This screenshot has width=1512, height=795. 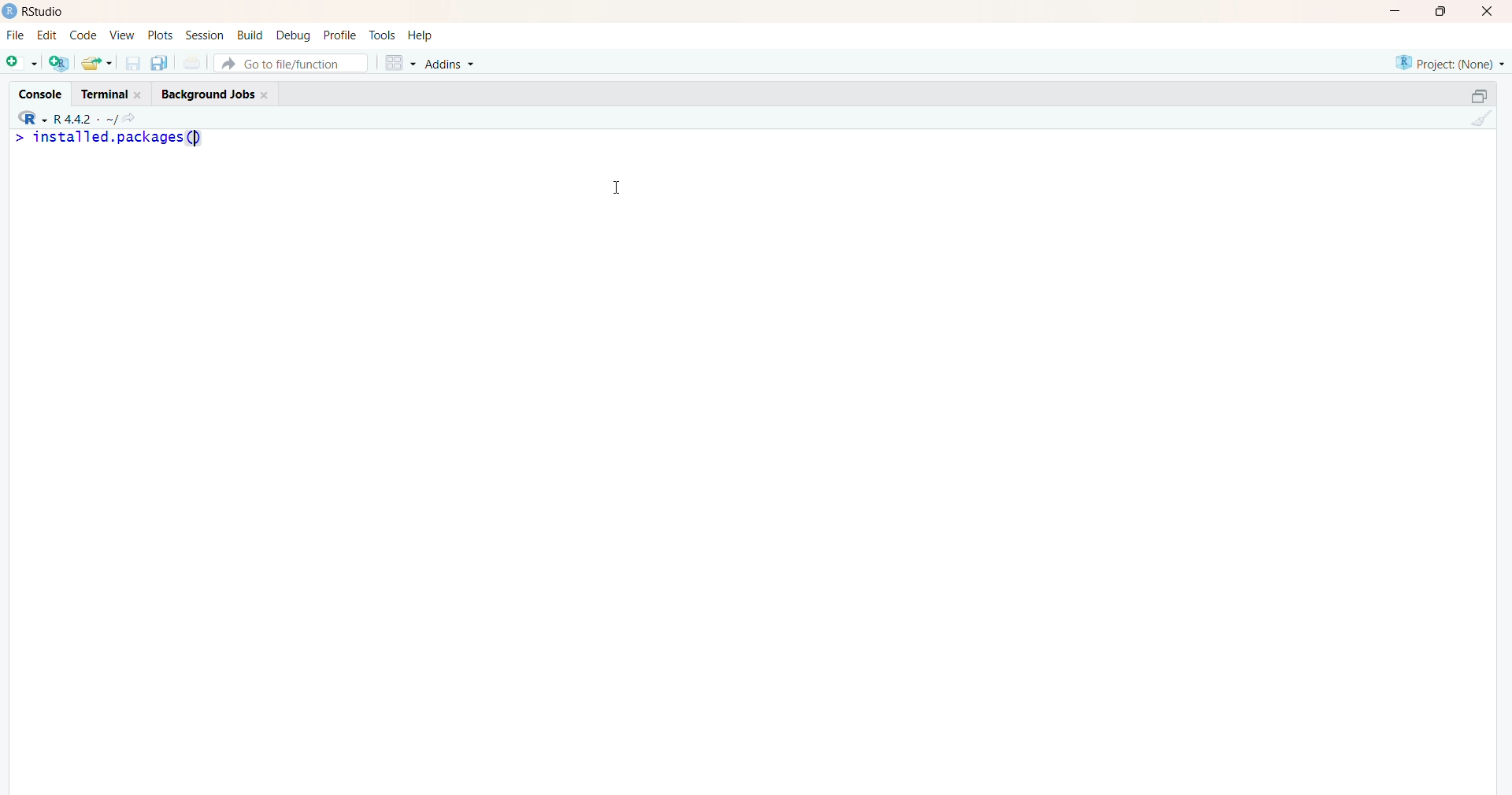 What do you see at coordinates (1392, 11) in the screenshot?
I see `minimize` at bounding box center [1392, 11].